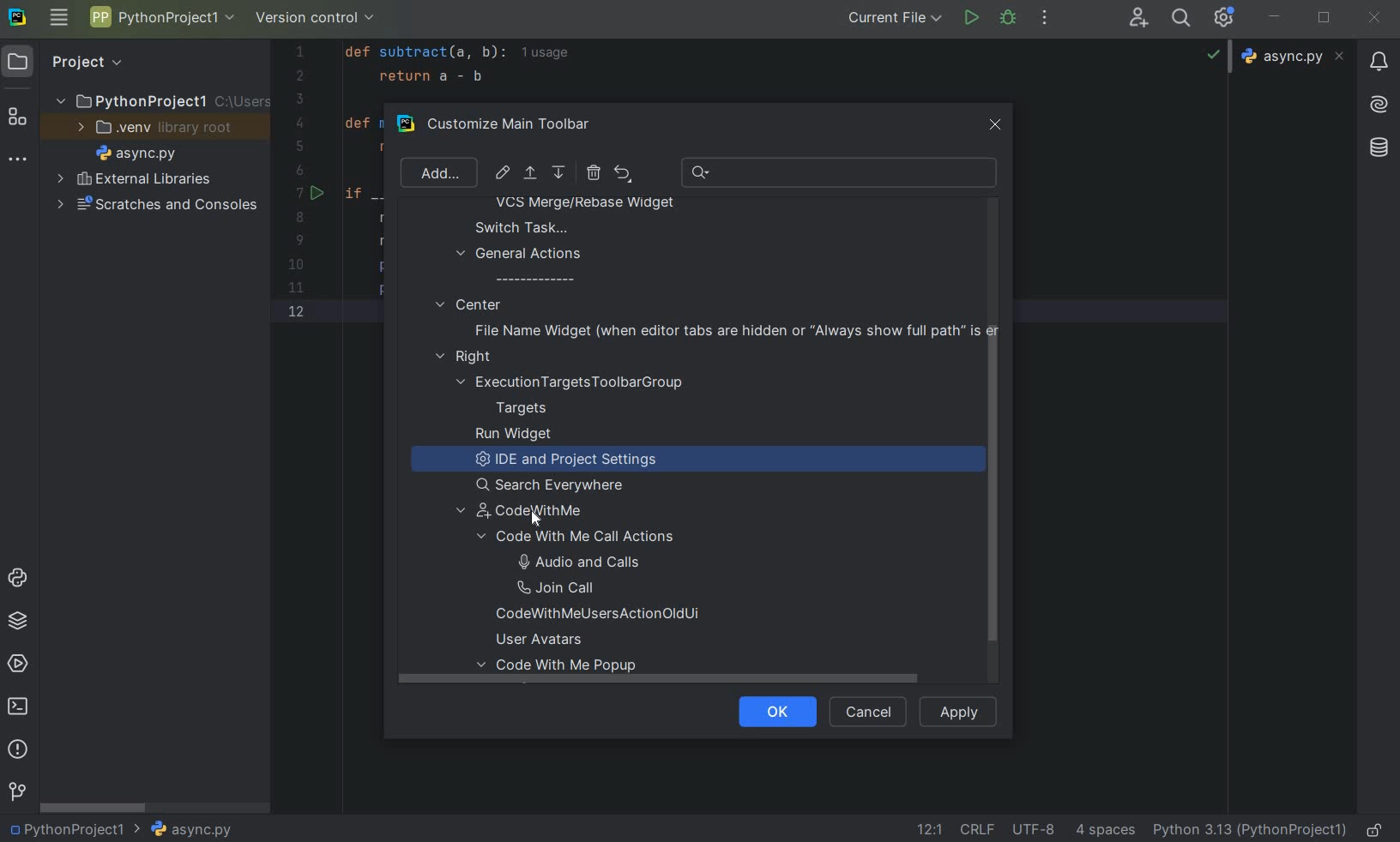 The image size is (1400, 842). Describe the element at coordinates (575, 561) in the screenshot. I see `audio and calls` at that location.